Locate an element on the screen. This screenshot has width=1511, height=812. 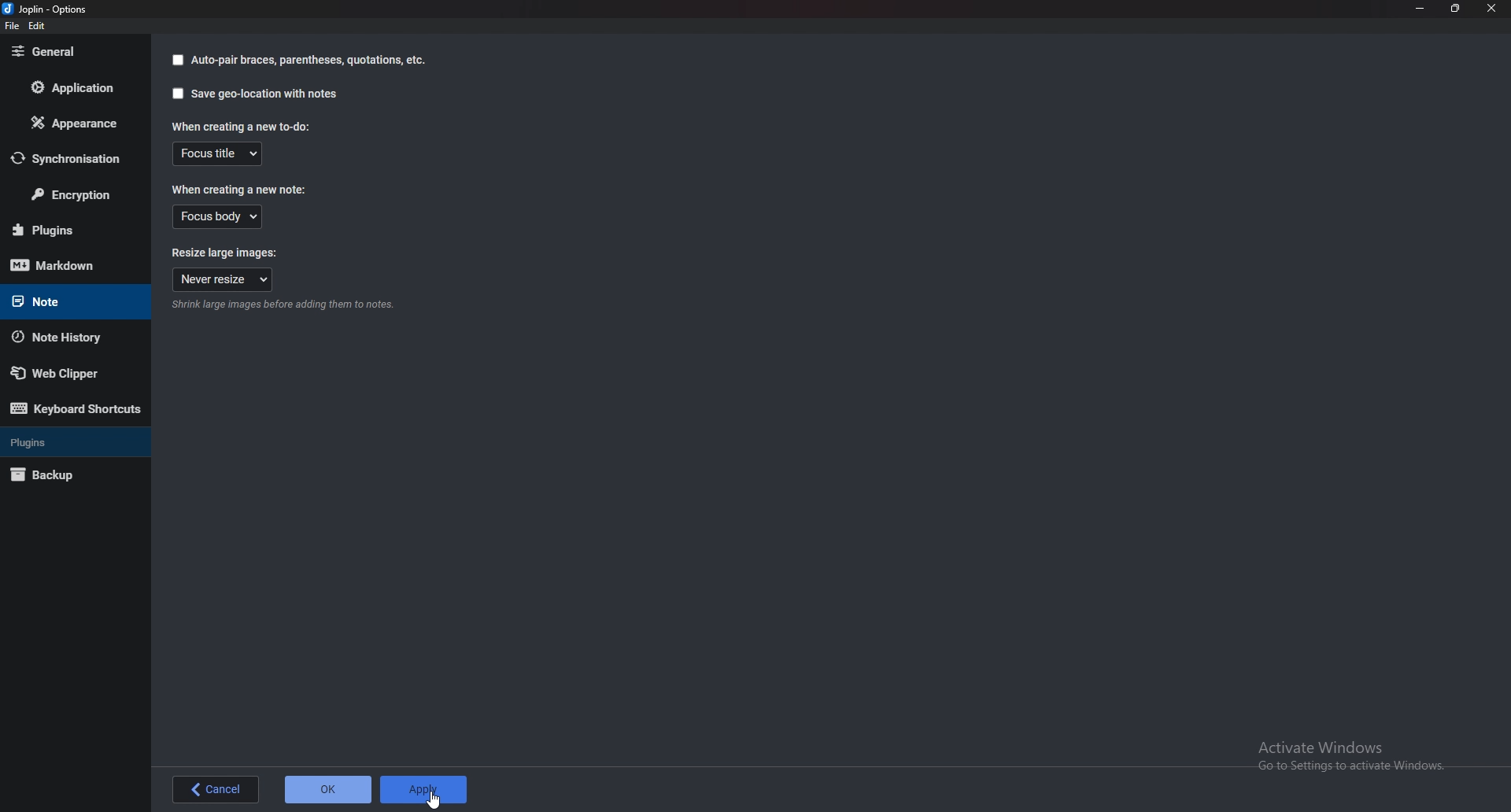
Synchronization is located at coordinates (73, 158).